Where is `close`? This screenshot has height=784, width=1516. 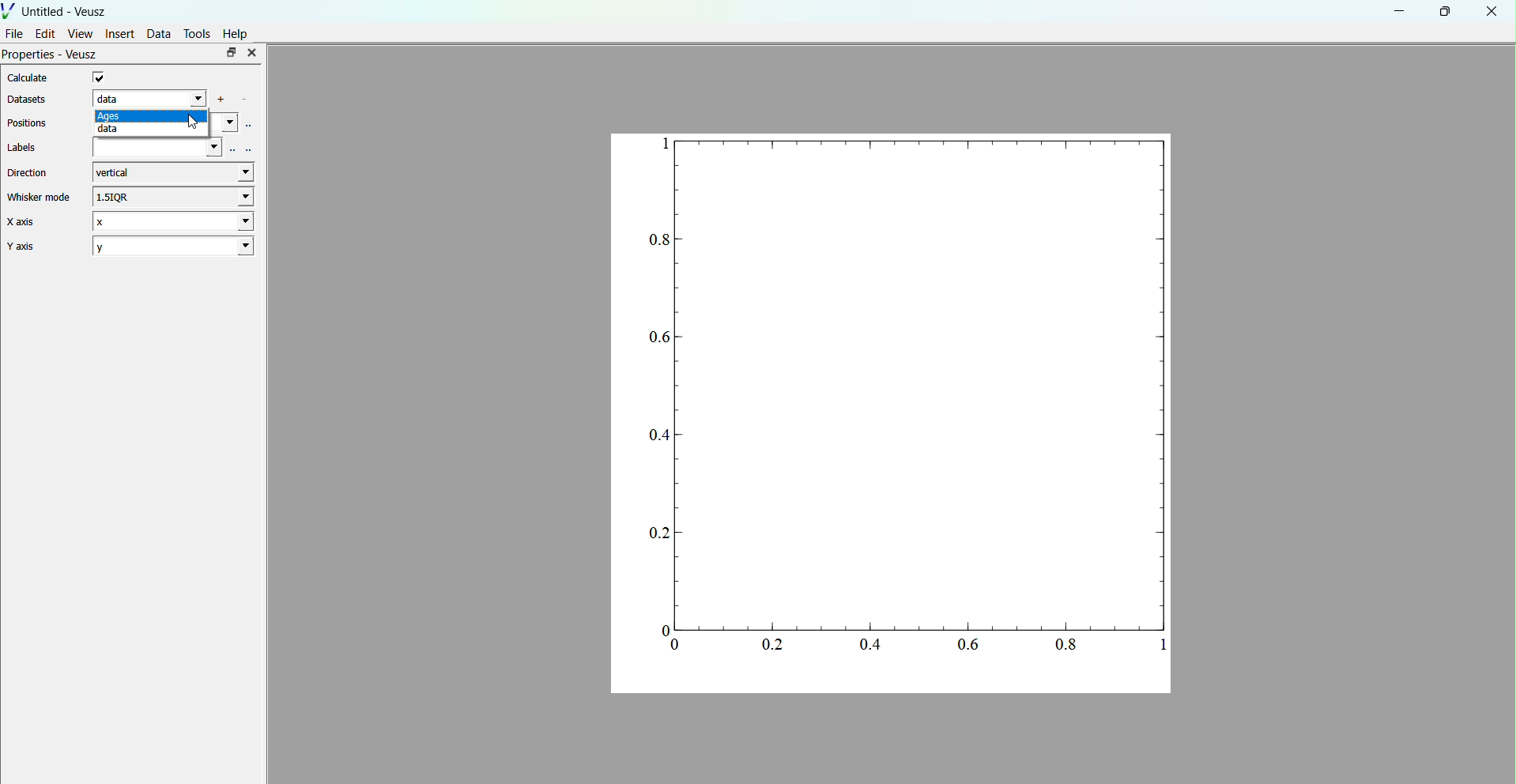 close is located at coordinates (251, 53).